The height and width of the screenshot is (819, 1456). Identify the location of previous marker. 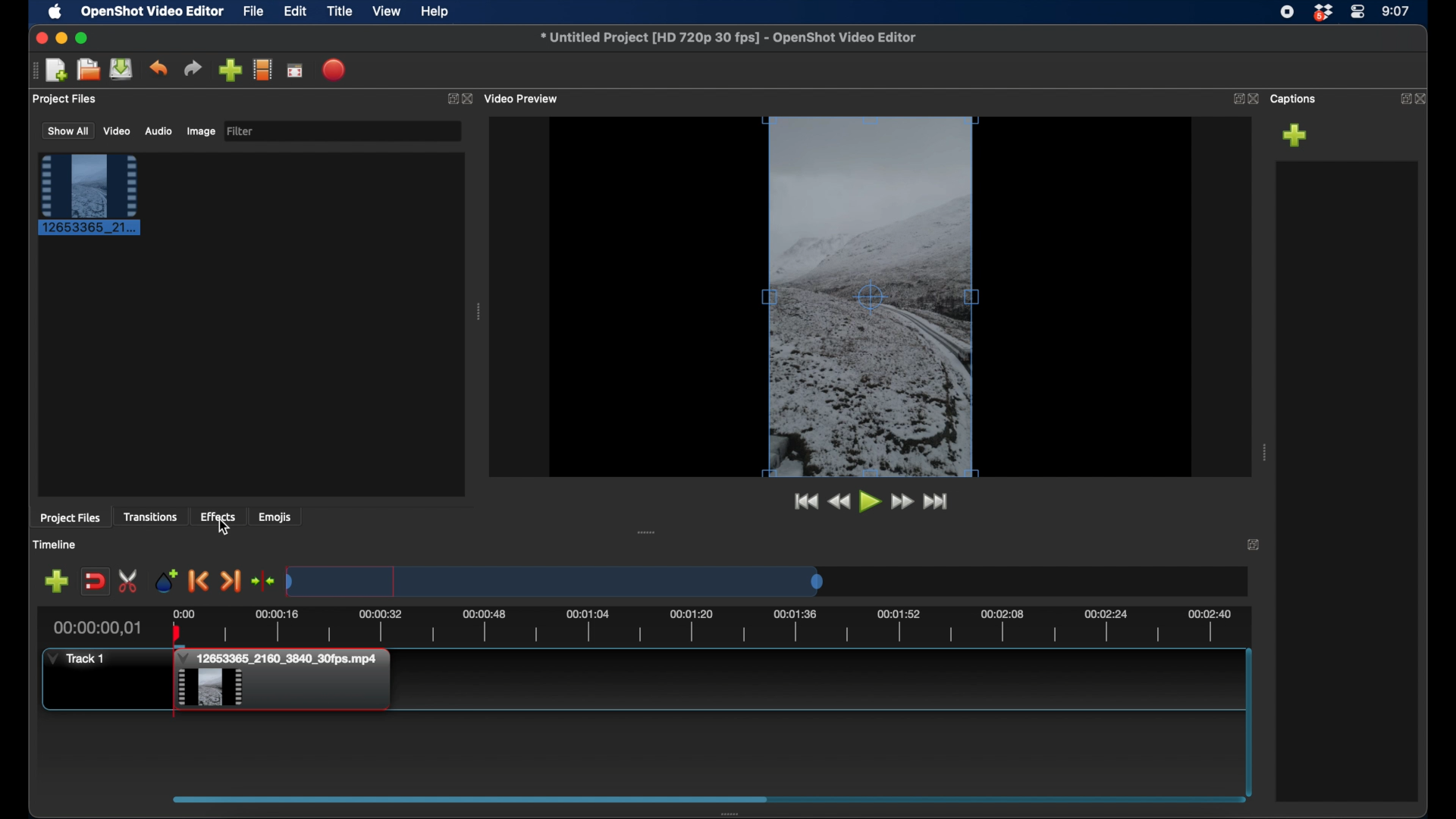
(199, 582).